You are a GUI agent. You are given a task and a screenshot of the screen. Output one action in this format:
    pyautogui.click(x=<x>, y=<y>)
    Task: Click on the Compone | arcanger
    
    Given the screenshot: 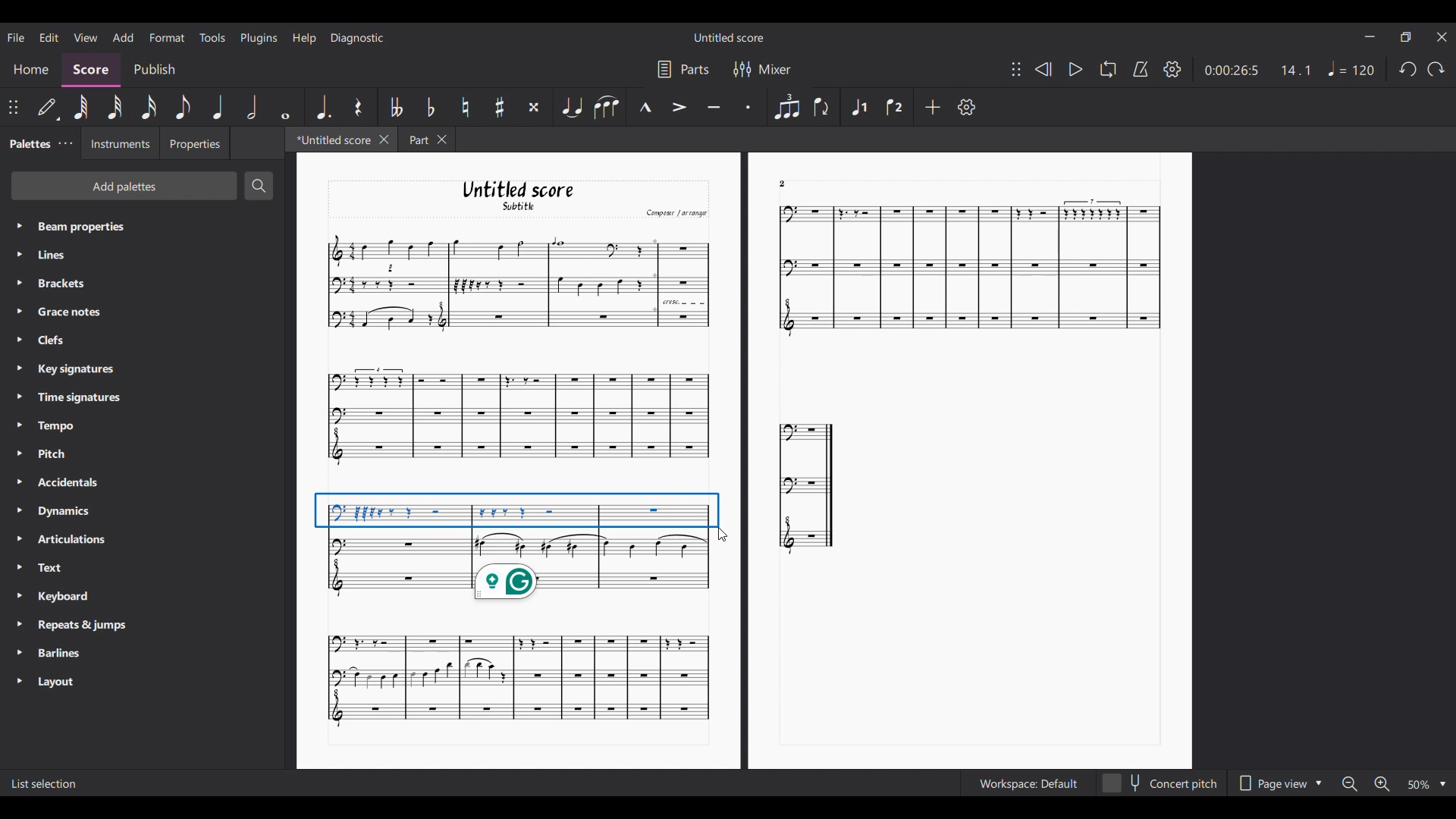 What is the action you would take?
    pyautogui.click(x=676, y=215)
    